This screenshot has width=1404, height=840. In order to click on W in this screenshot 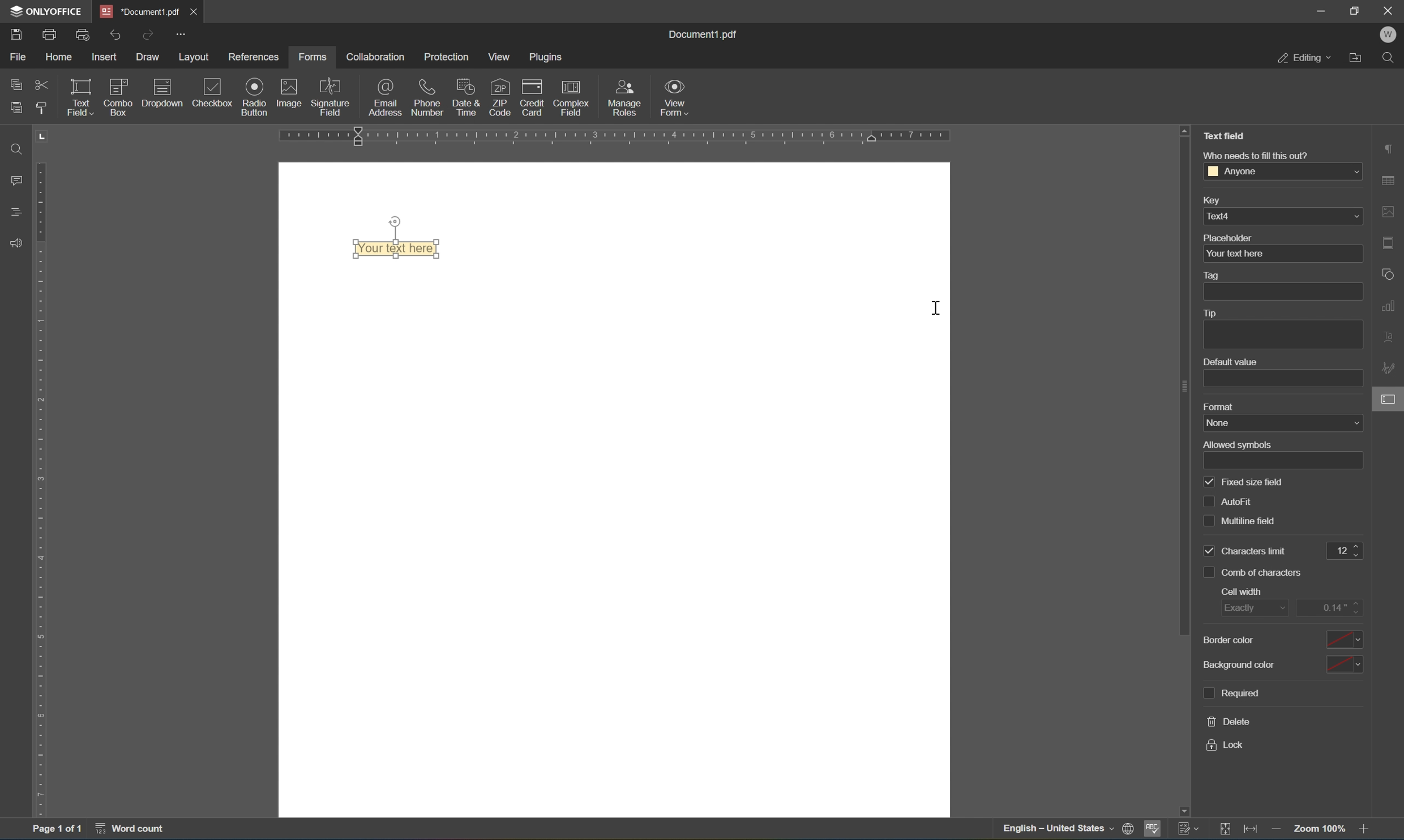, I will do `click(1388, 36)`.